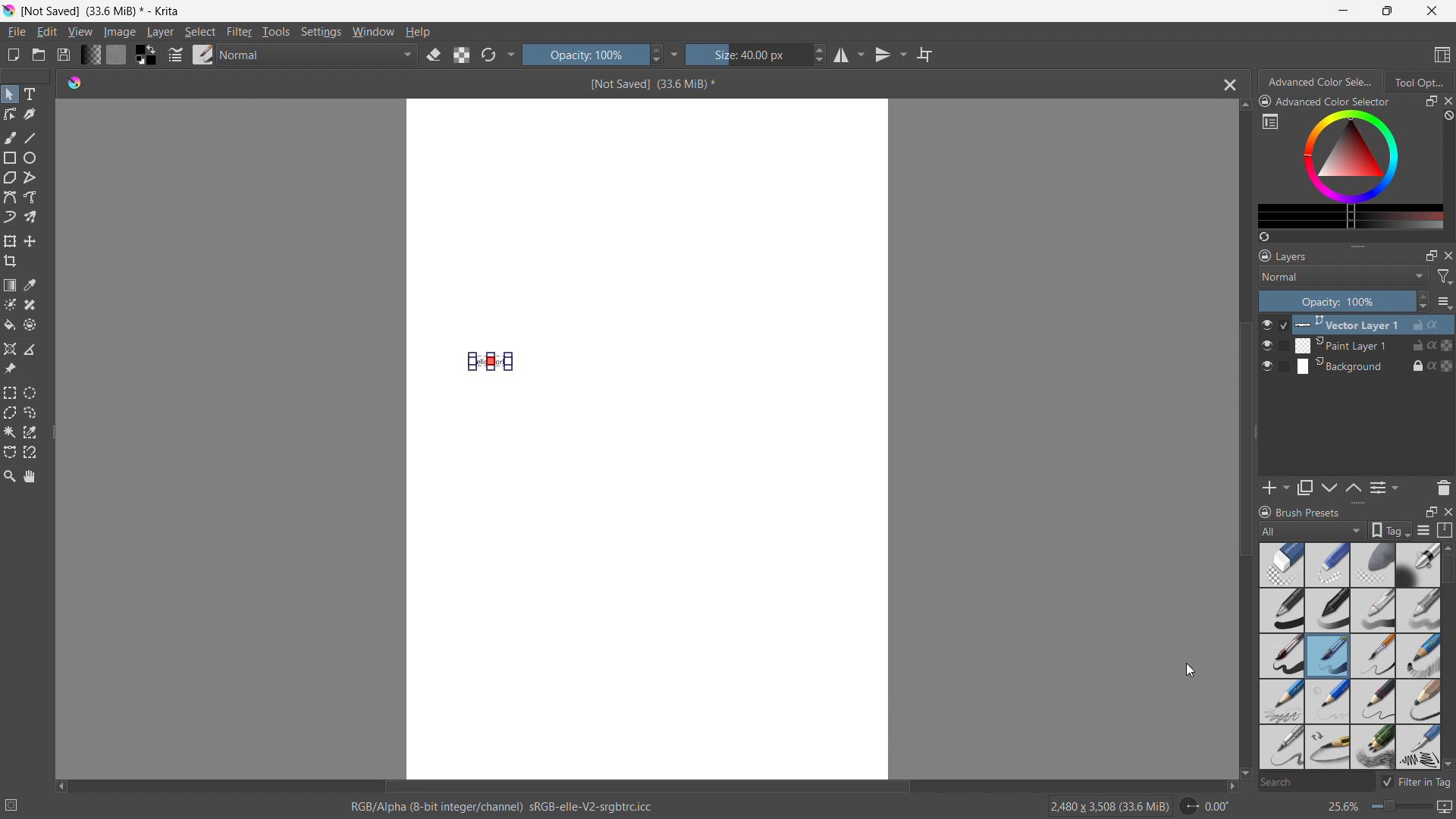 This screenshot has width=1456, height=819. What do you see at coordinates (11, 137) in the screenshot?
I see `freehand brush tool` at bounding box center [11, 137].